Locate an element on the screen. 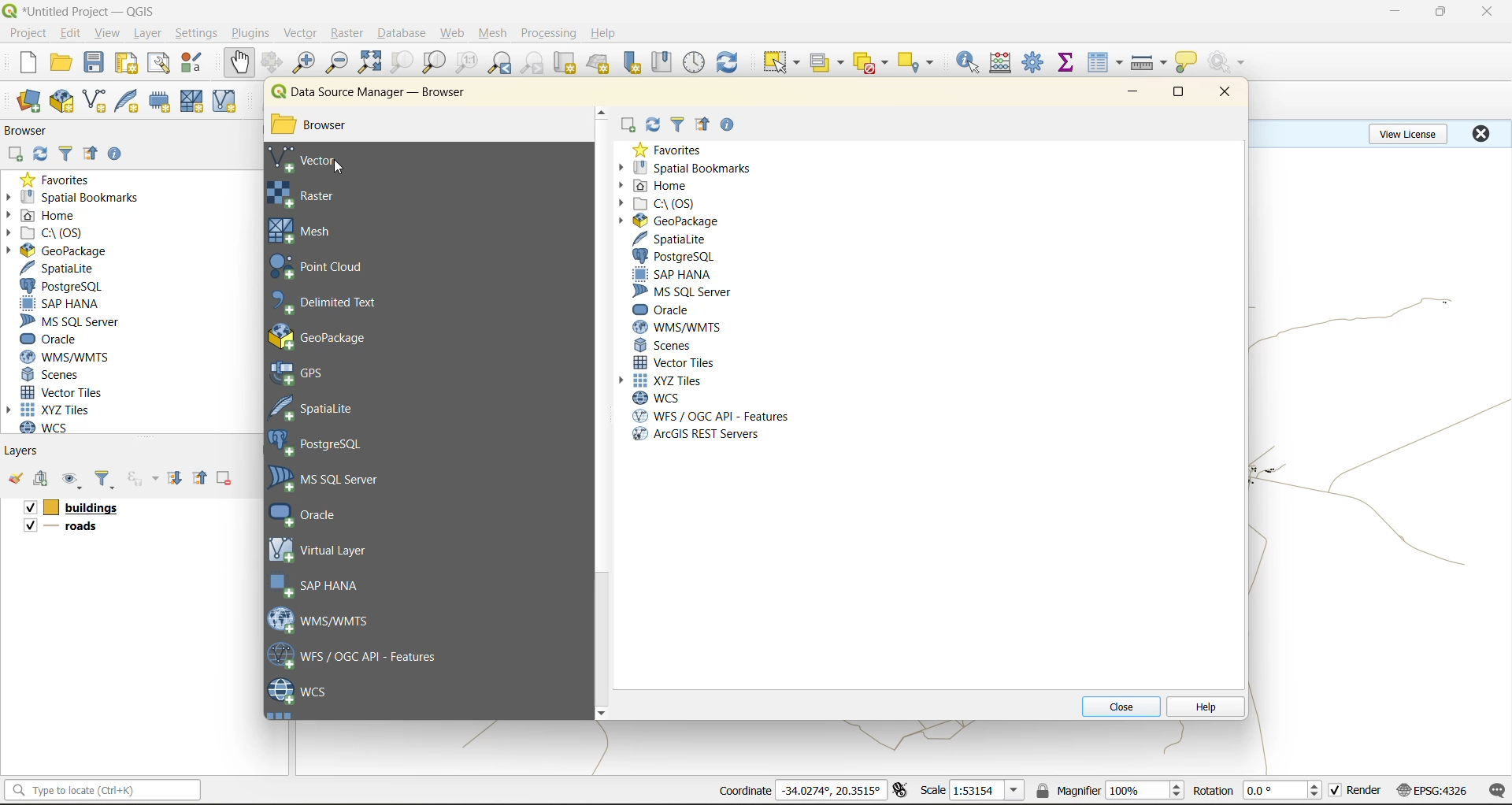  tool box is located at coordinates (1035, 61).